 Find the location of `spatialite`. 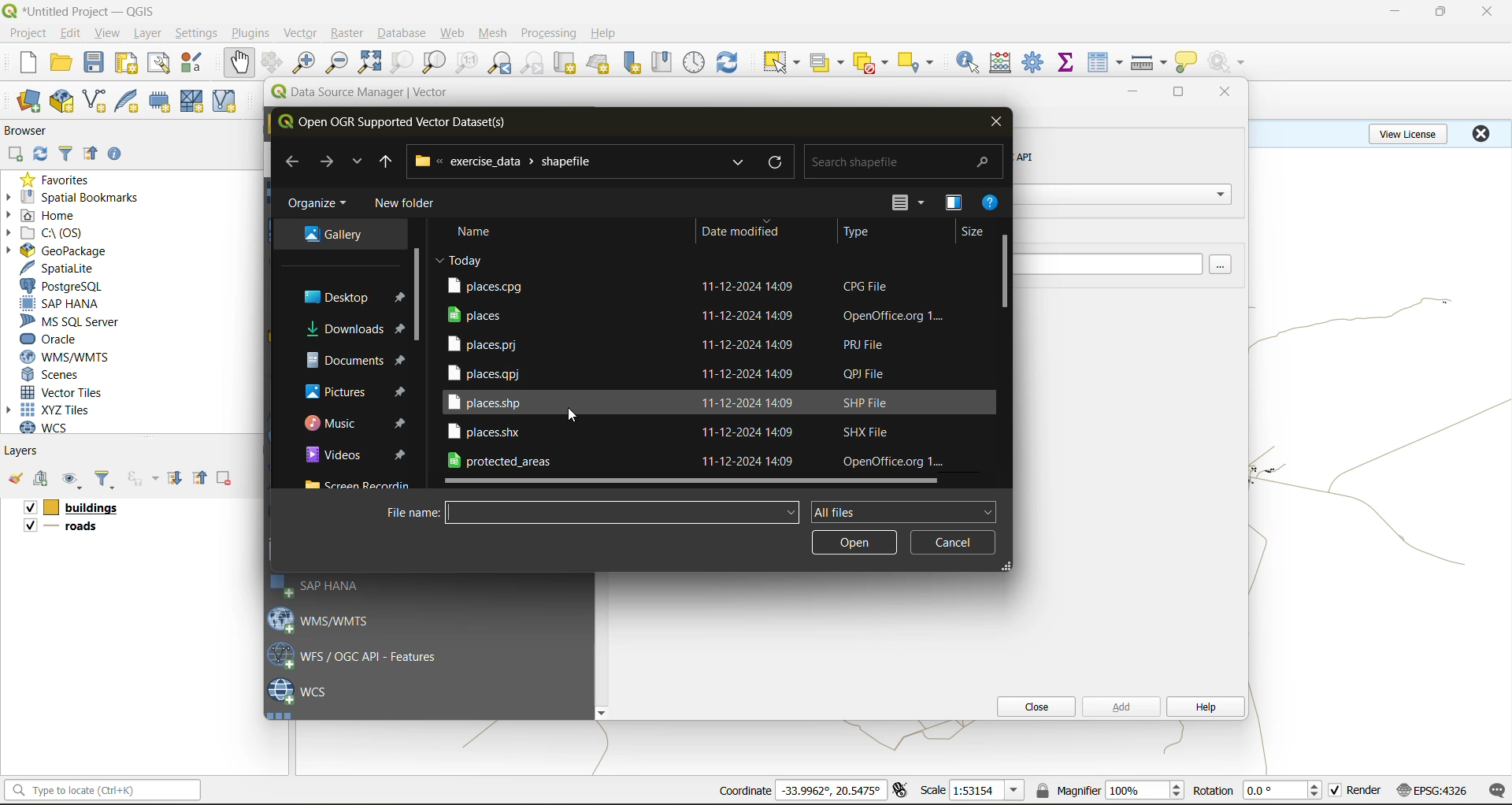

spatialite is located at coordinates (65, 269).